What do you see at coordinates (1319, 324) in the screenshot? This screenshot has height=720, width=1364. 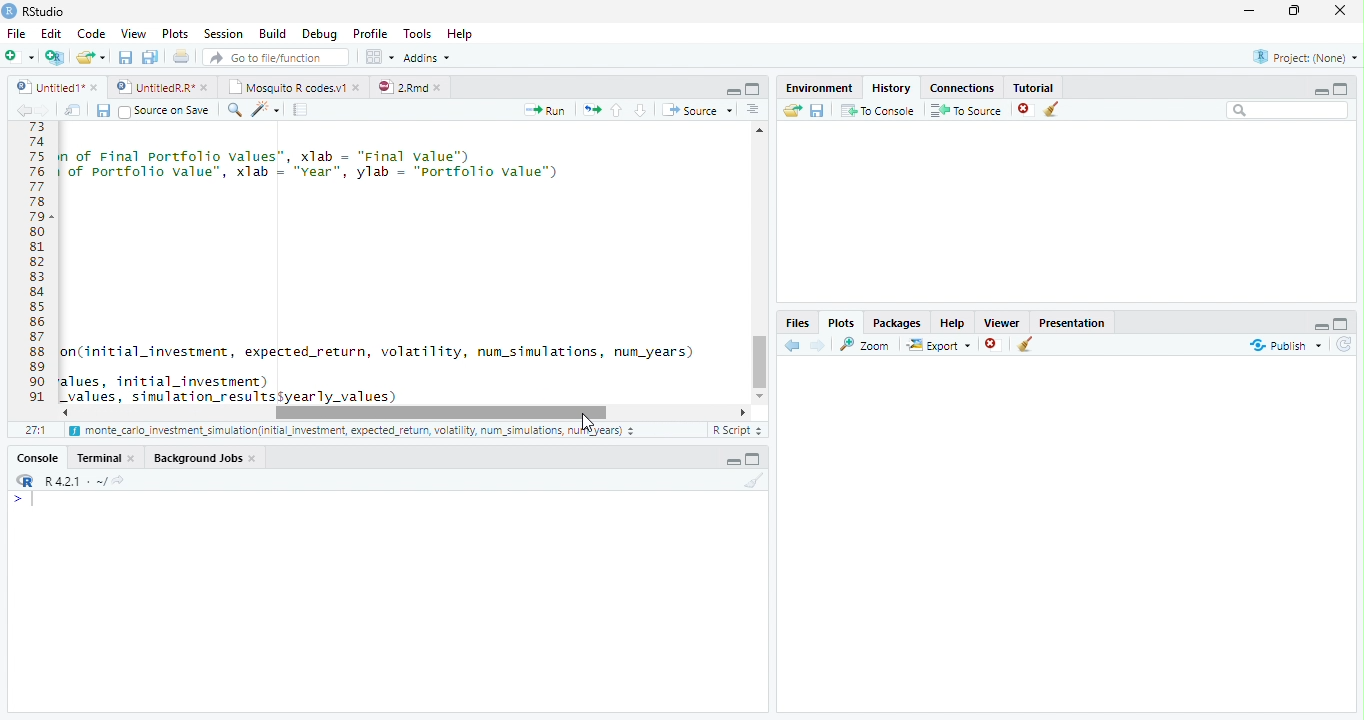 I see `Hide` at bounding box center [1319, 324].